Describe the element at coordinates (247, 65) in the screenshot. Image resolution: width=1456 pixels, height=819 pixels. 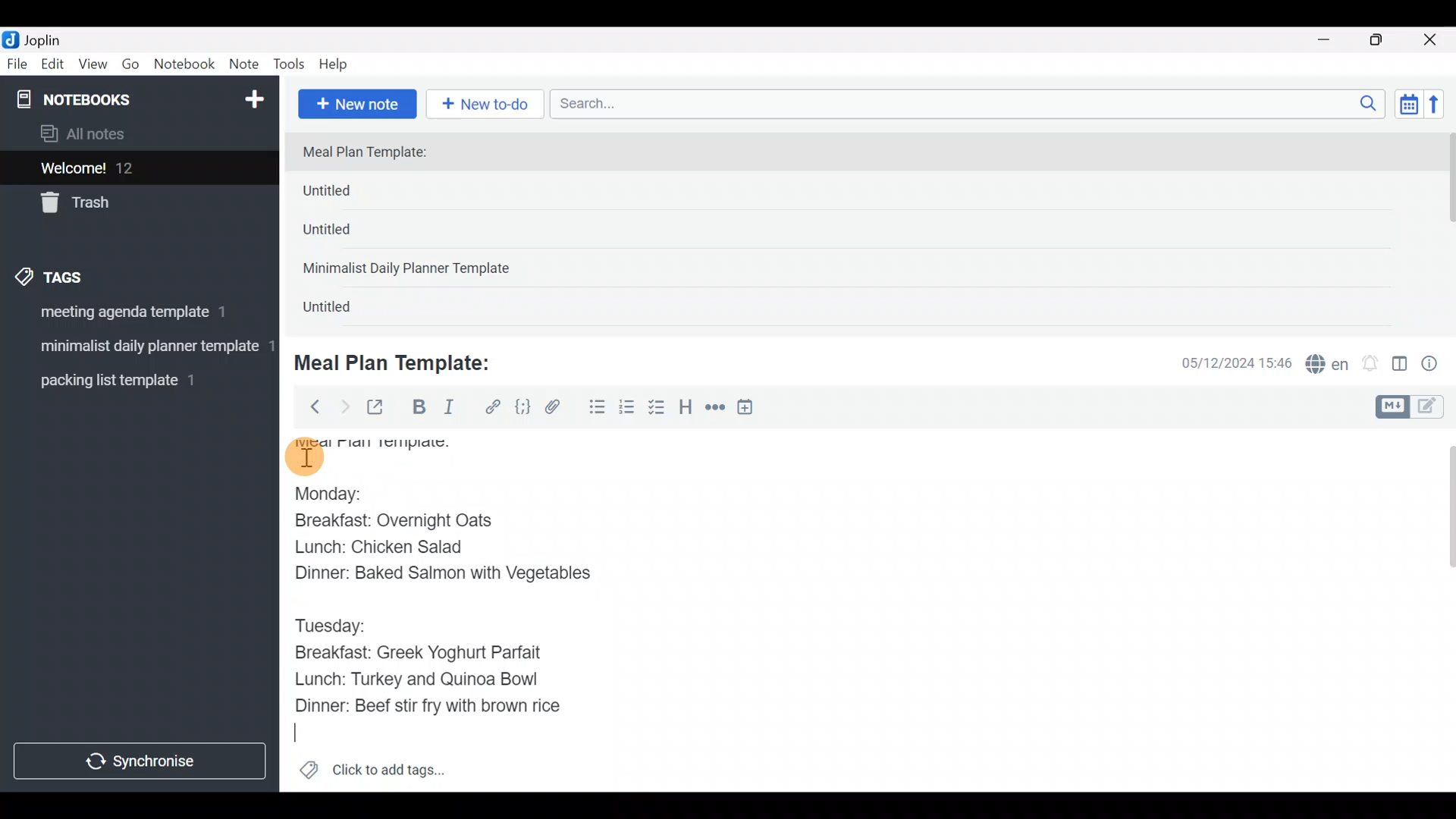
I see `Note` at that location.